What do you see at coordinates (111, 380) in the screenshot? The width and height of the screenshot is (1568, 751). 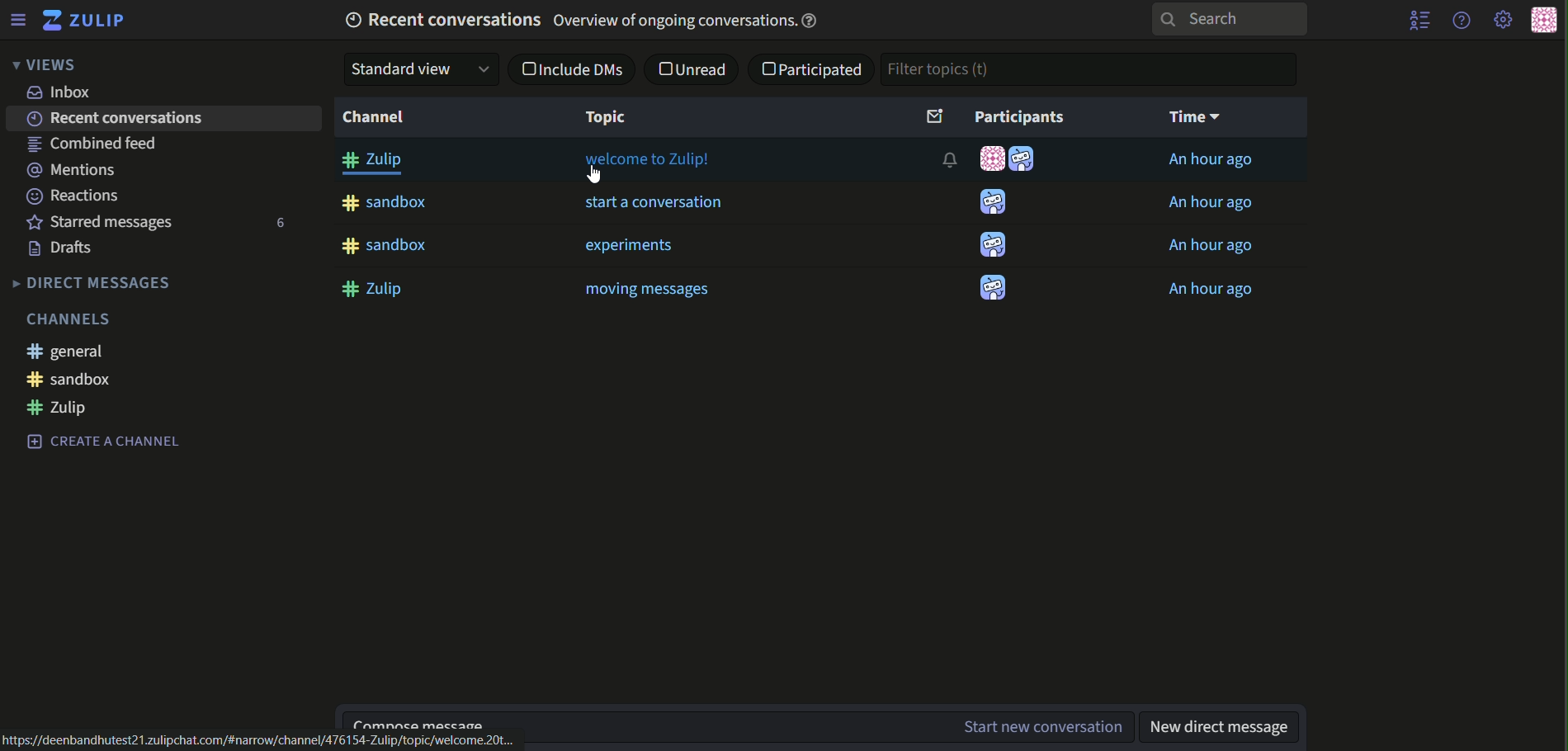 I see `text` at bounding box center [111, 380].